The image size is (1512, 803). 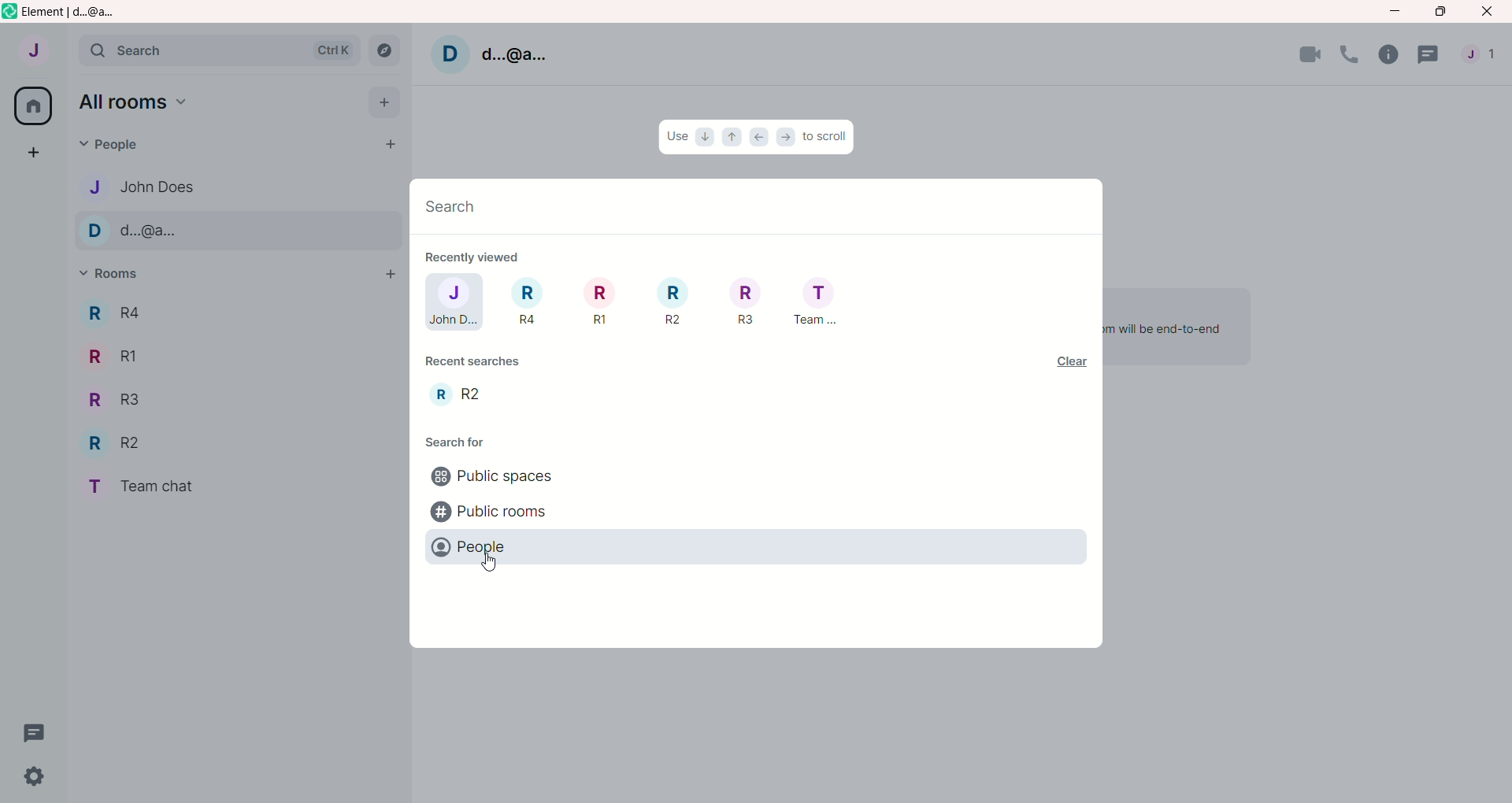 I want to click on team chat, so click(x=815, y=303).